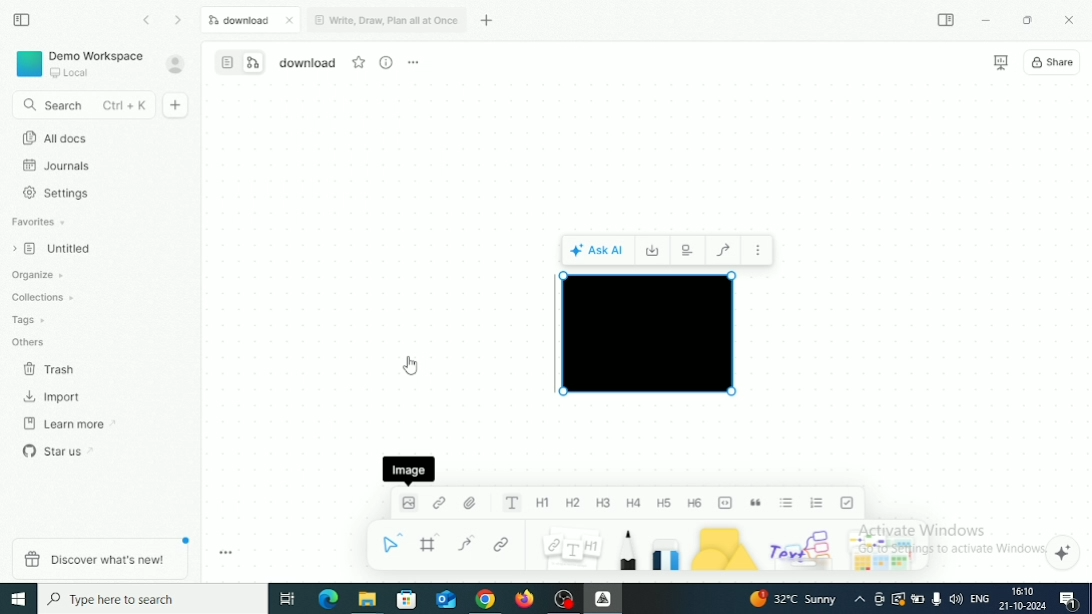 The image size is (1092, 614). I want to click on Image, so click(409, 469).